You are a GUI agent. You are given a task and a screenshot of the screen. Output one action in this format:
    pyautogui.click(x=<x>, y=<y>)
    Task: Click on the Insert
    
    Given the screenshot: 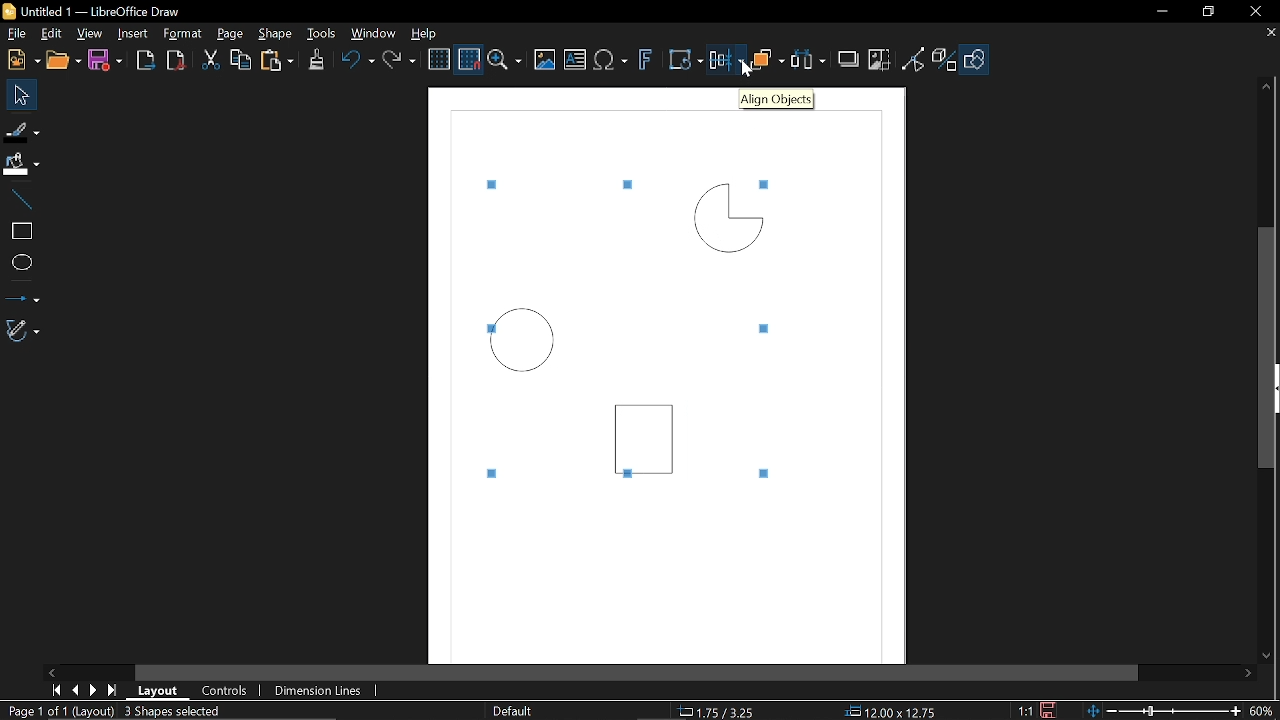 What is the action you would take?
    pyautogui.click(x=133, y=32)
    